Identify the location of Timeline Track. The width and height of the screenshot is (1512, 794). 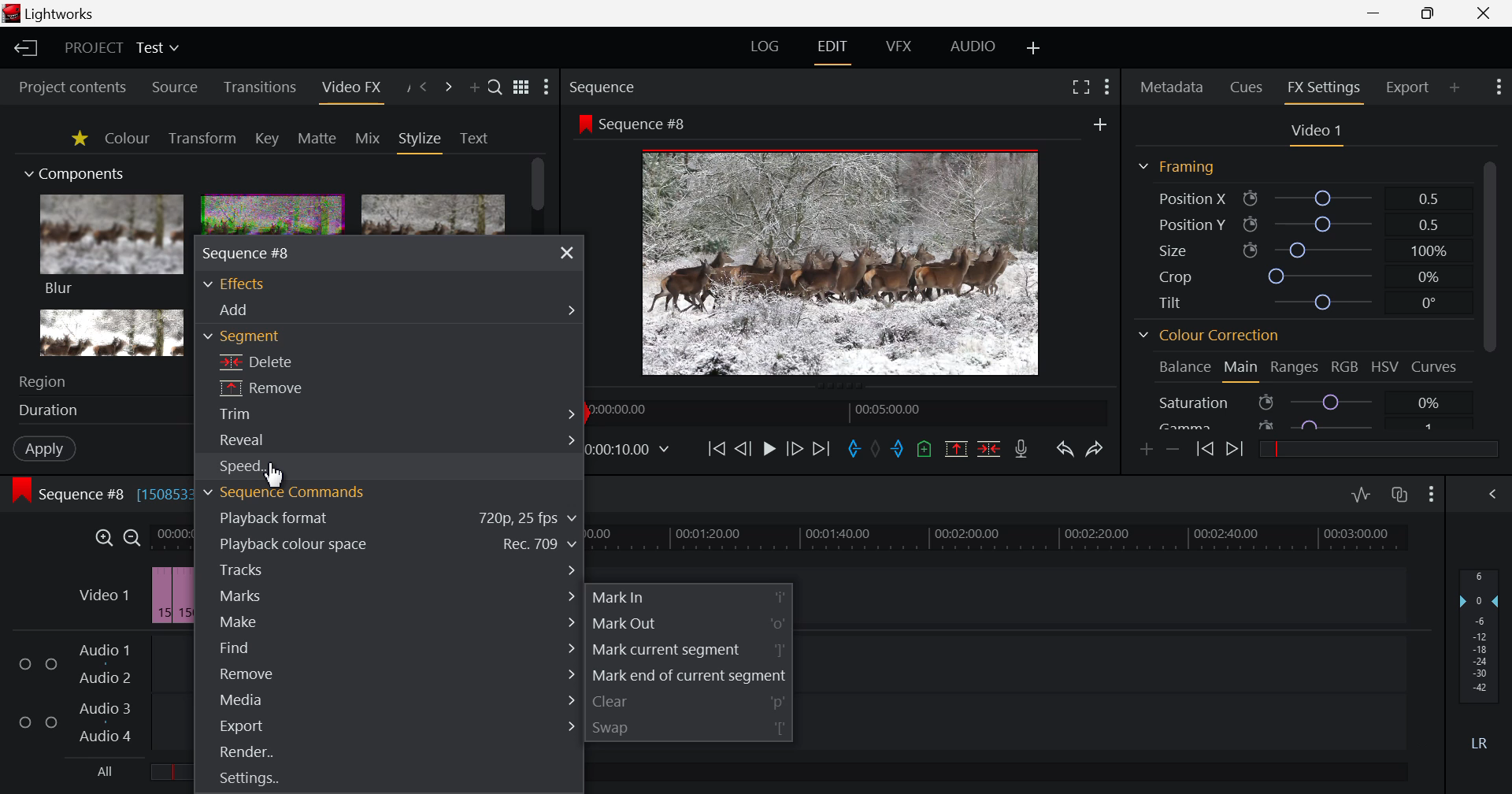
(1000, 538).